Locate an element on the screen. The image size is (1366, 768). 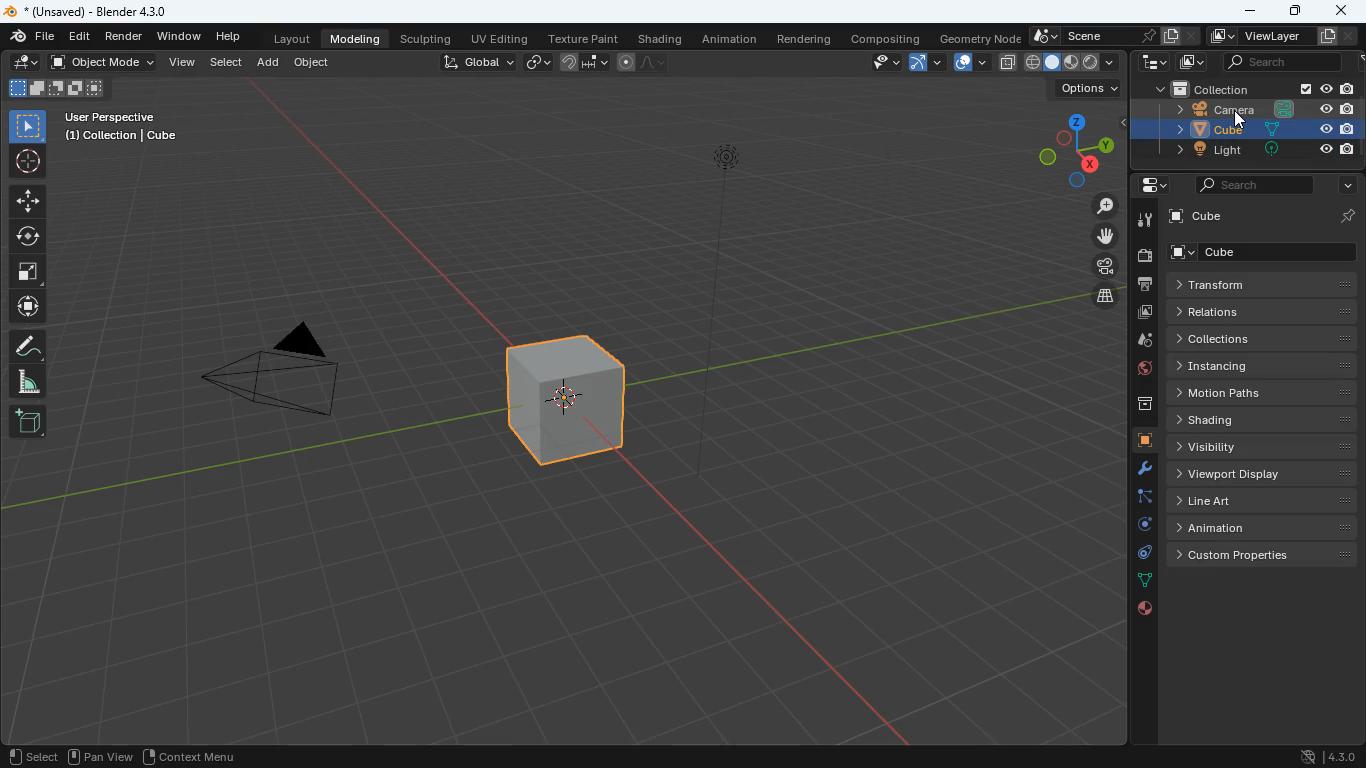
window is located at coordinates (180, 37).